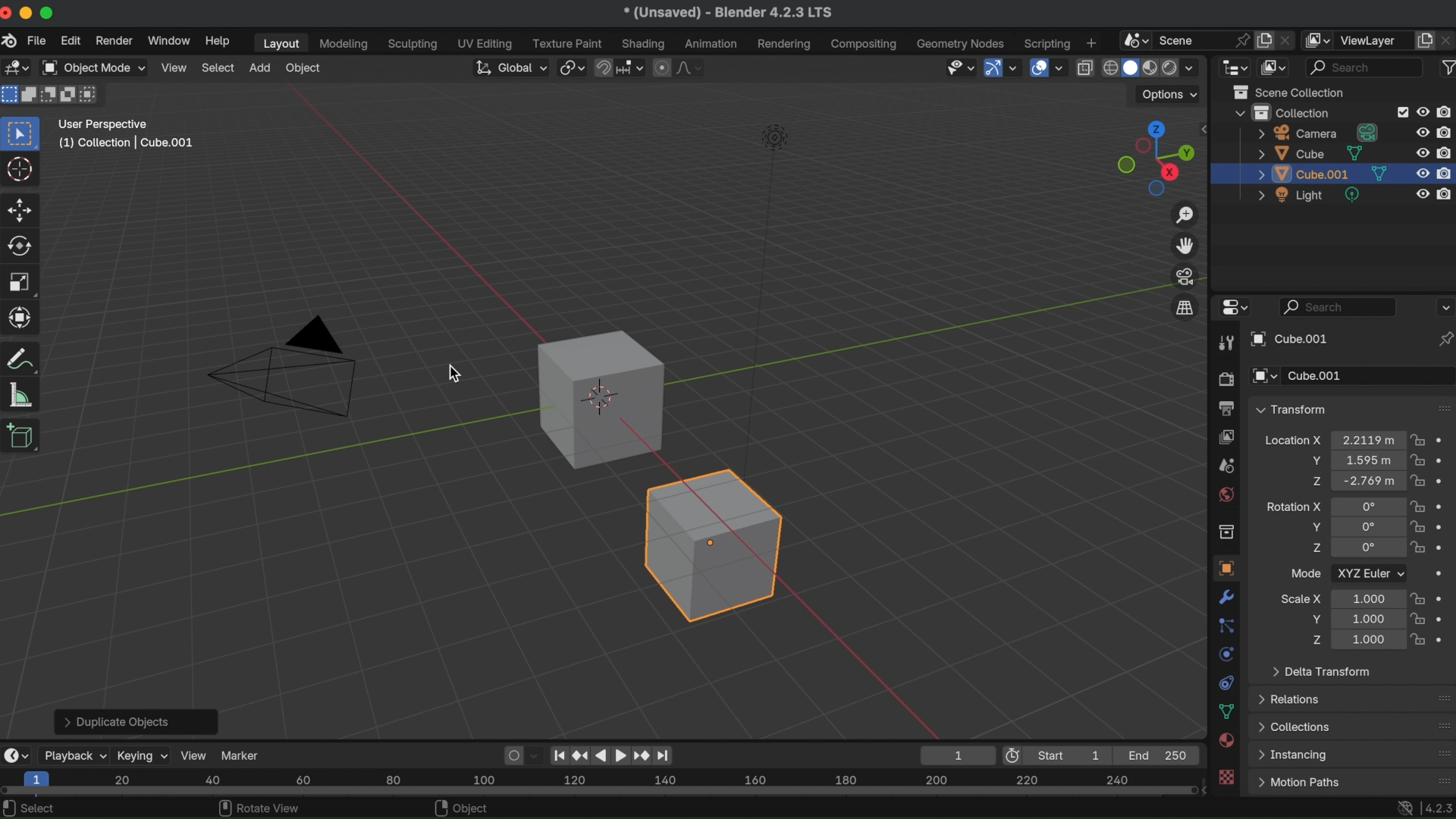 The height and width of the screenshot is (819, 1456). Describe the element at coordinates (1225, 532) in the screenshot. I see `collection` at that location.